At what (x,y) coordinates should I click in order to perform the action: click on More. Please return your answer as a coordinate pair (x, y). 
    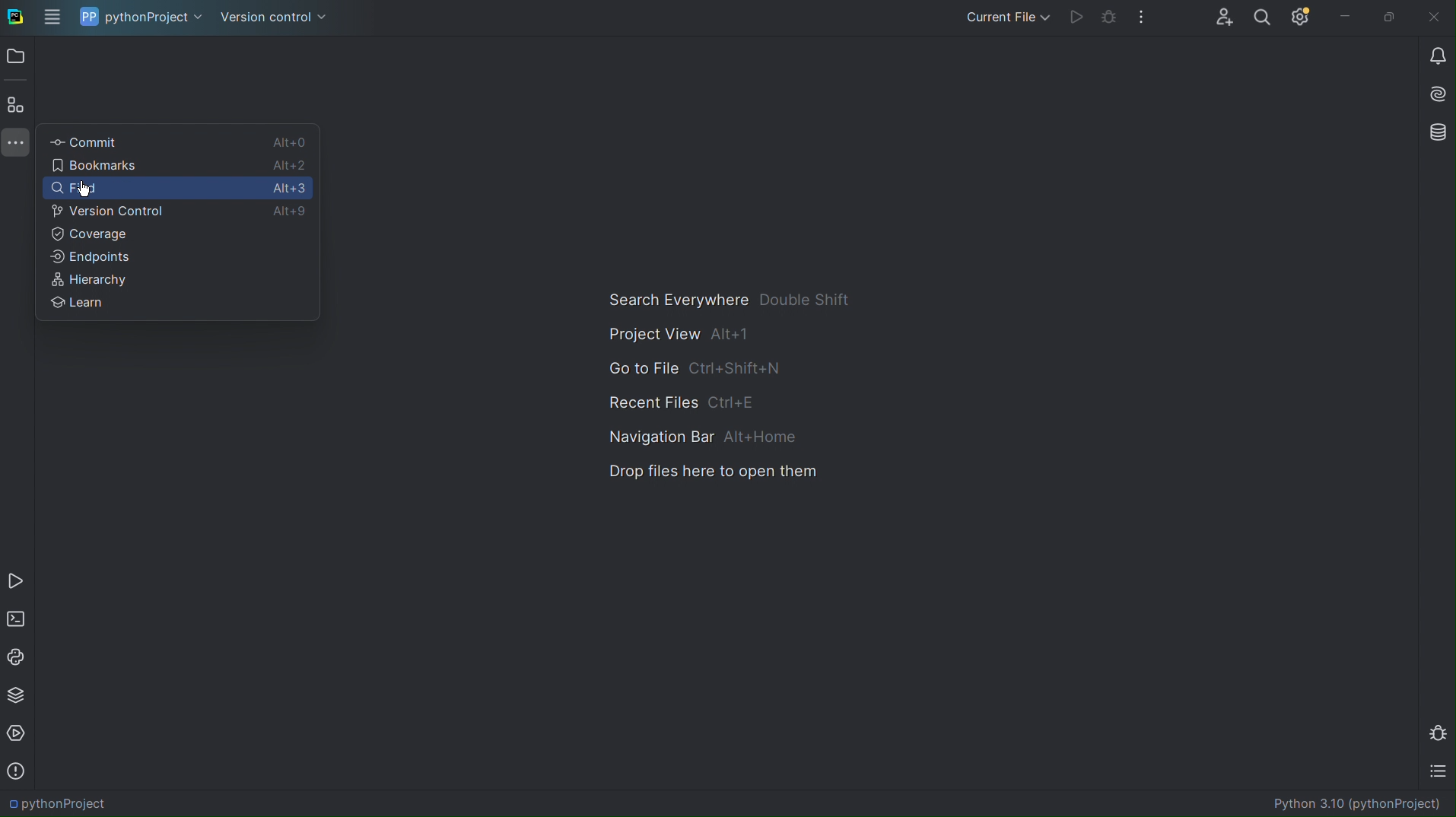
    Looking at the image, I should click on (14, 140).